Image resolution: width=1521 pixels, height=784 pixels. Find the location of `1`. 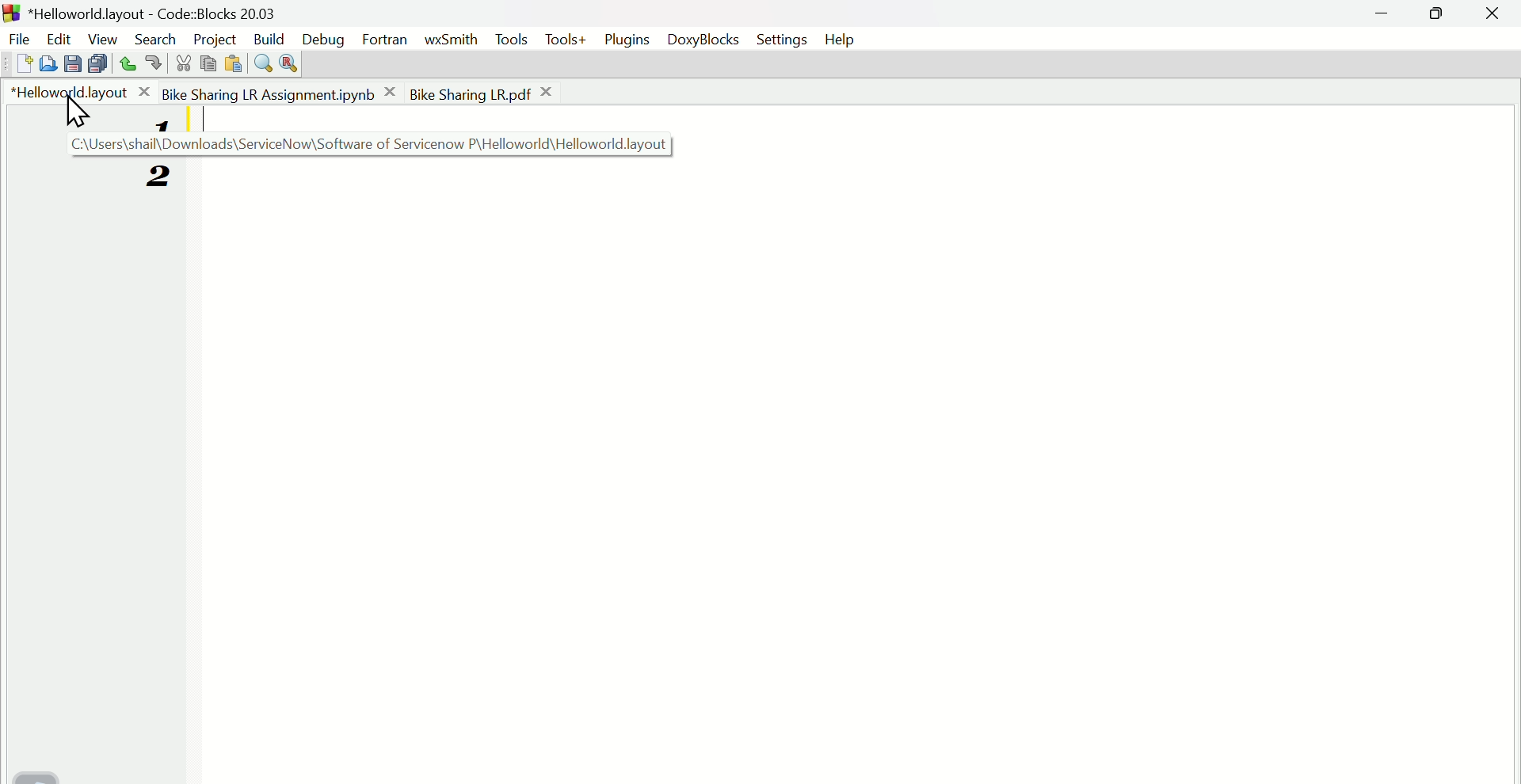

1 is located at coordinates (158, 124).